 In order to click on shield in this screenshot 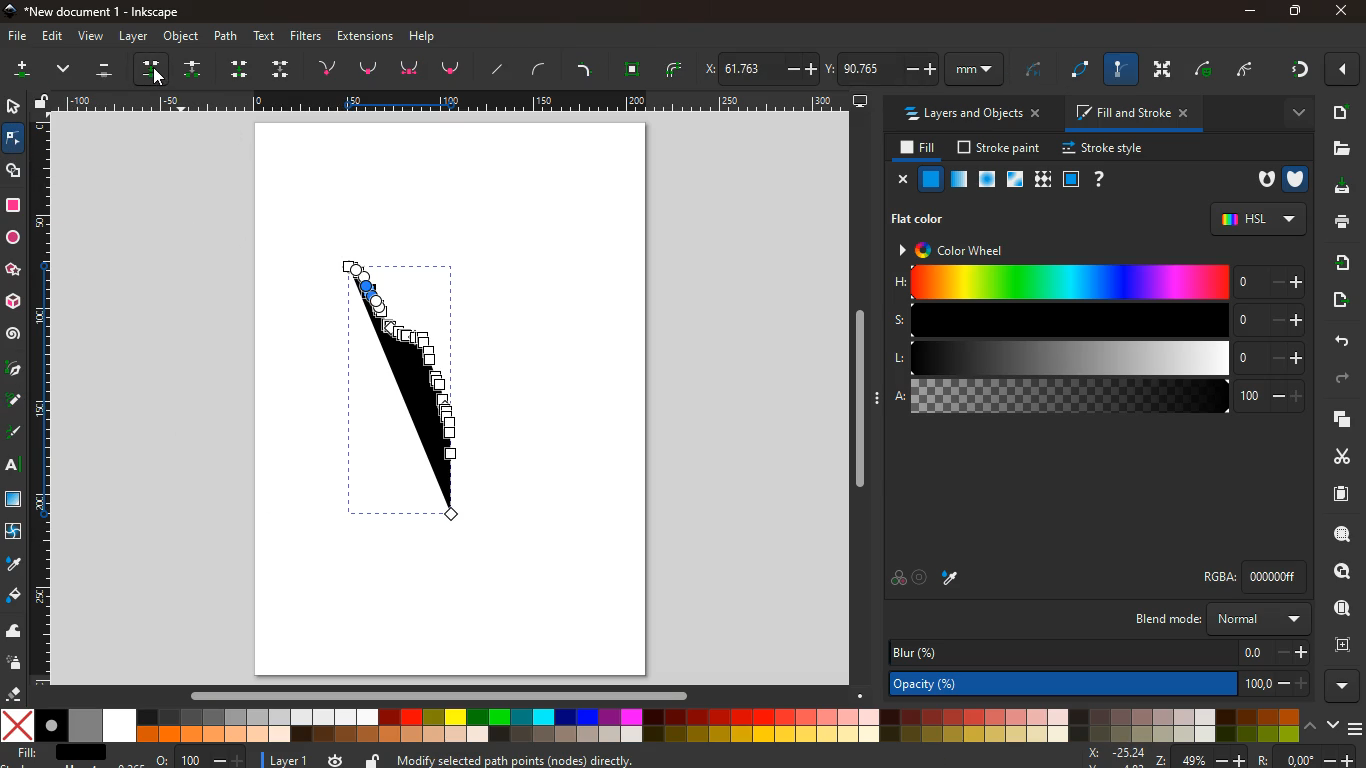, I will do `click(1298, 177)`.